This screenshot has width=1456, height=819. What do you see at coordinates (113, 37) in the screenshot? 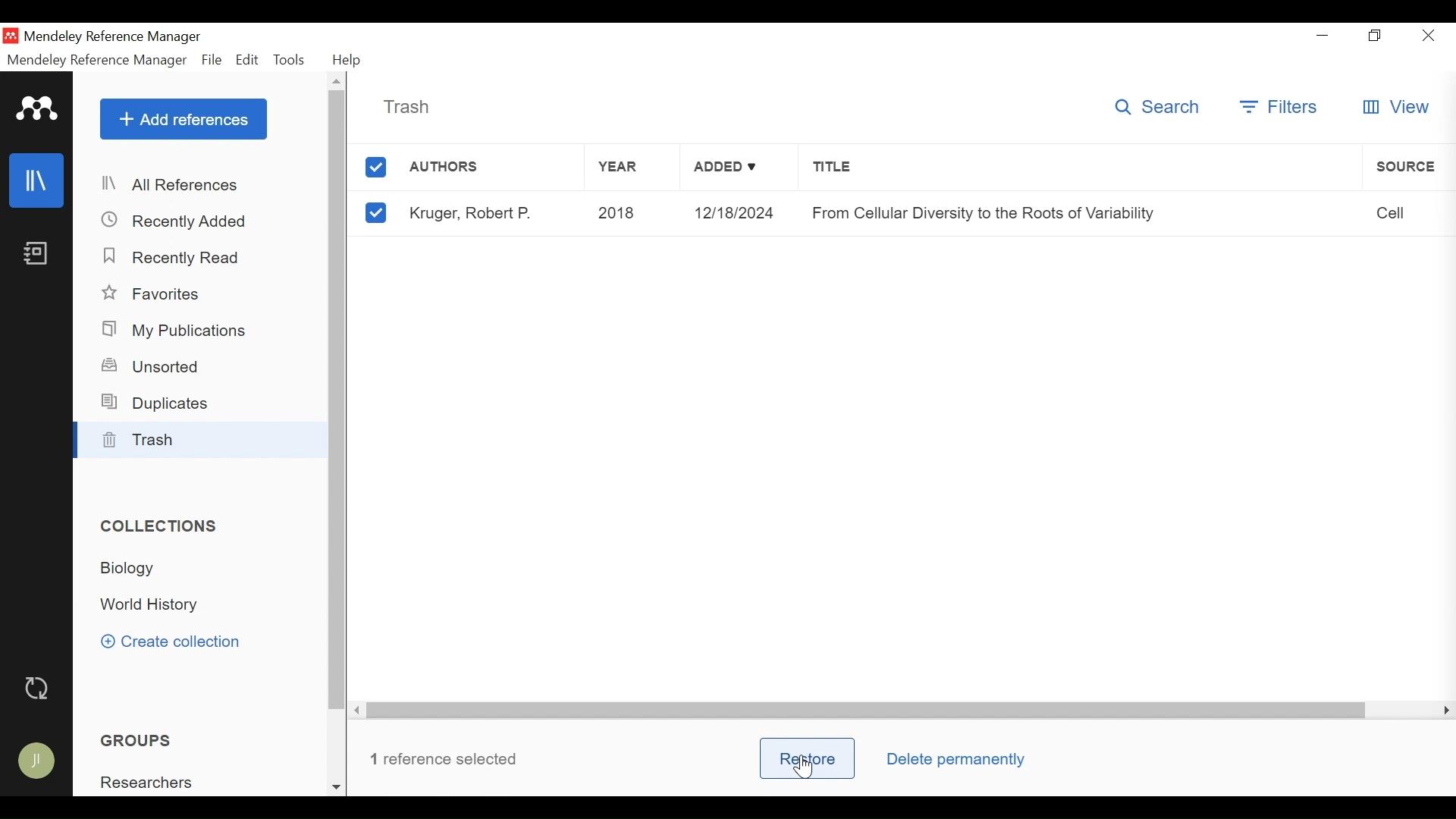
I see `Mendeley Reference Manager` at bounding box center [113, 37].